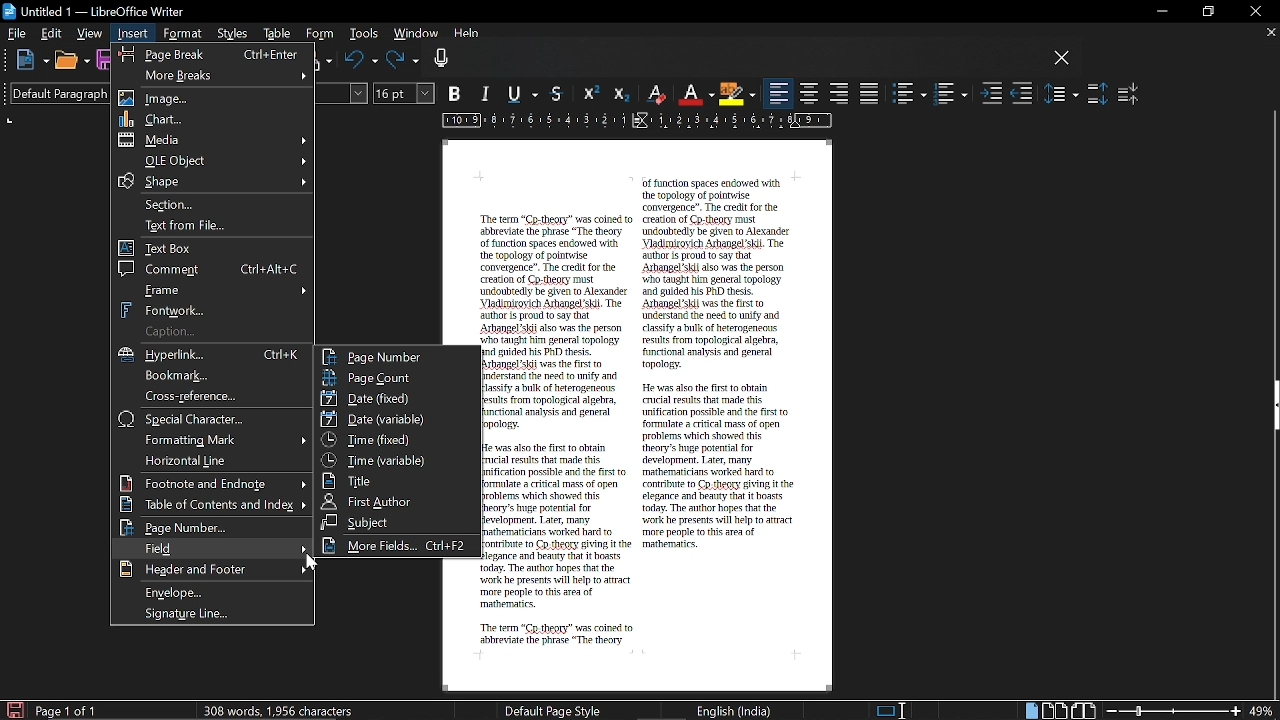  I want to click on Table, so click(277, 35).